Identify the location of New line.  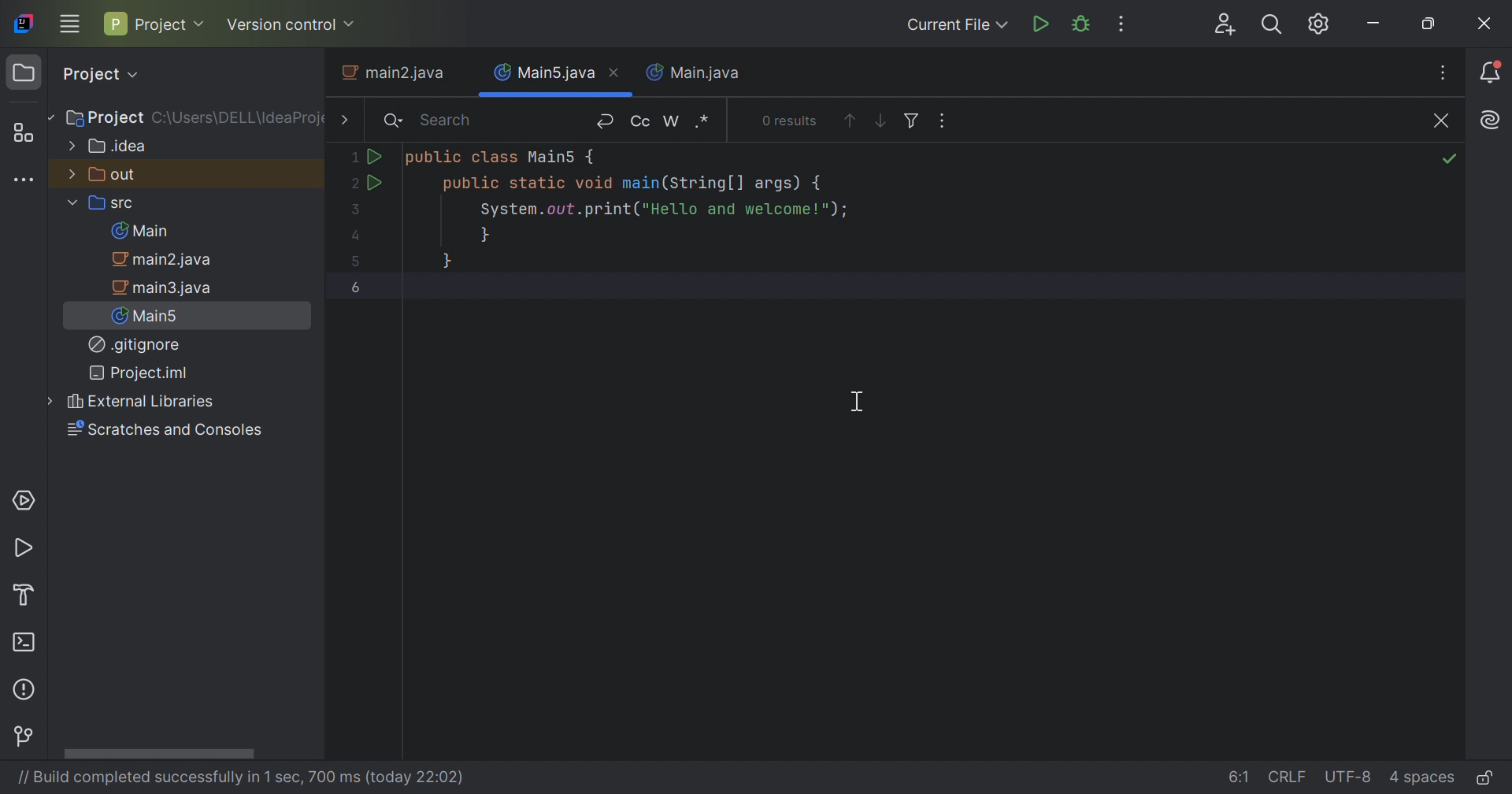
(609, 121).